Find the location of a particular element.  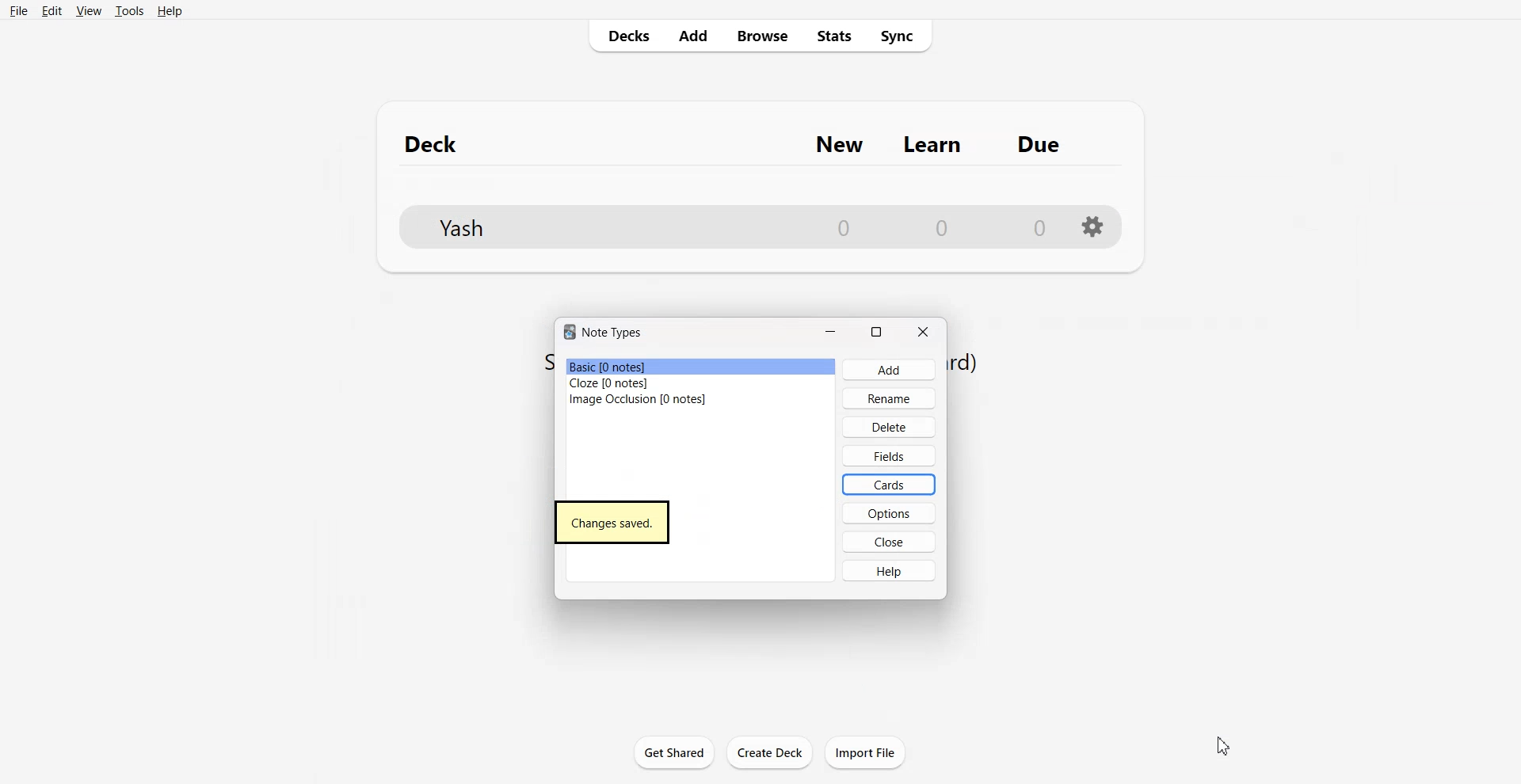

Tools is located at coordinates (129, 10).